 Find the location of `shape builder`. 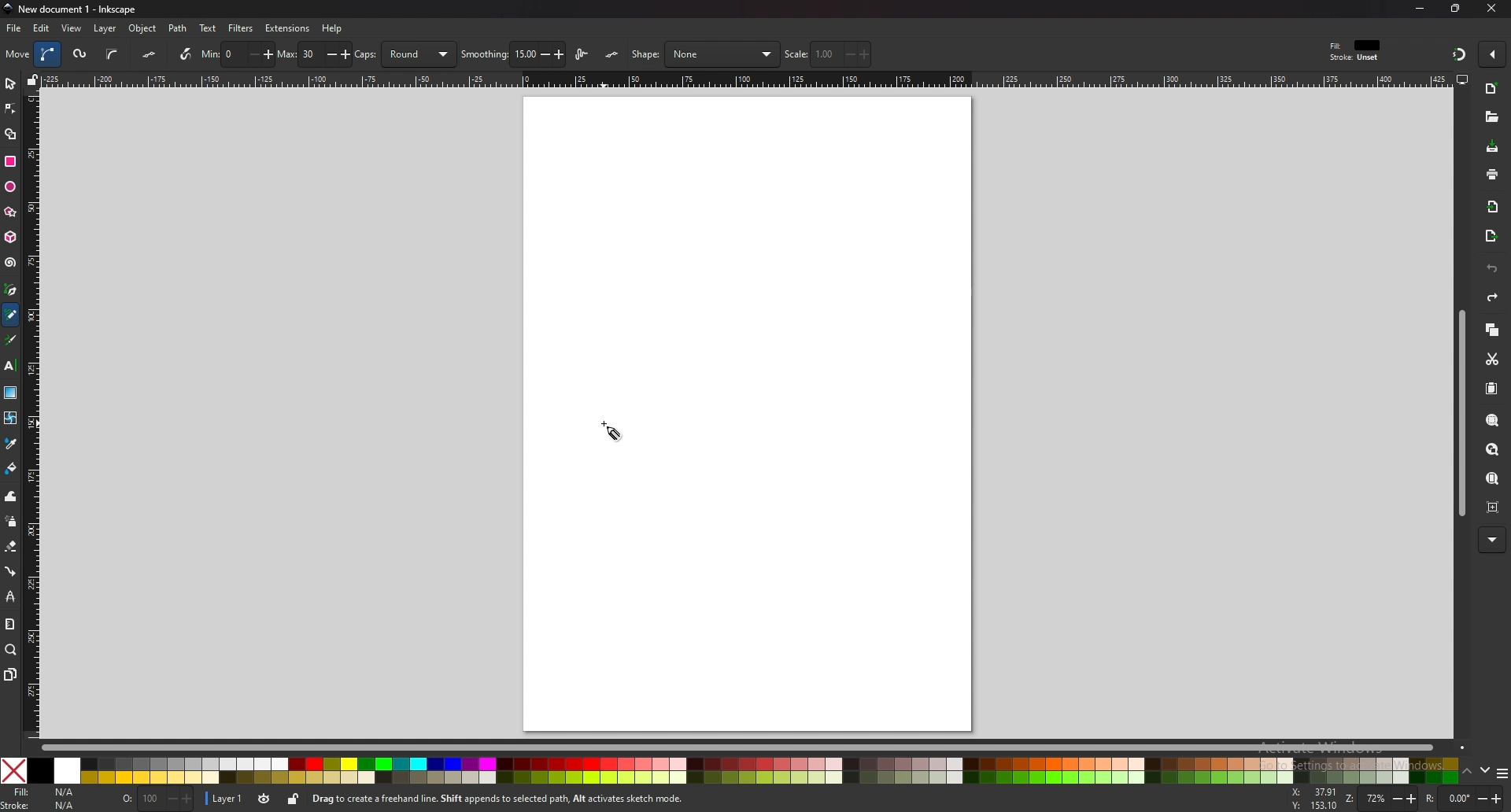

shape builder is located at coordinates (12, 134).